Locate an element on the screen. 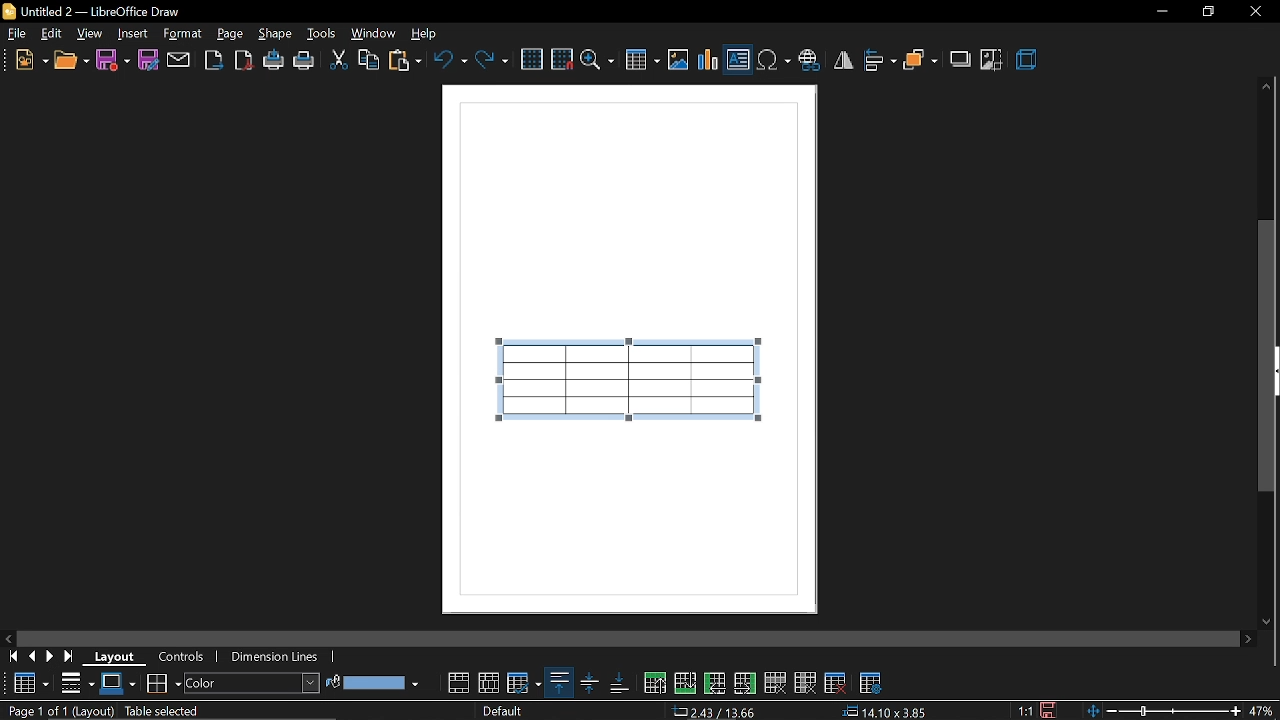 The width and height of the screenshot is (1280, 720). go to last page is located at coordinates (72, 657).